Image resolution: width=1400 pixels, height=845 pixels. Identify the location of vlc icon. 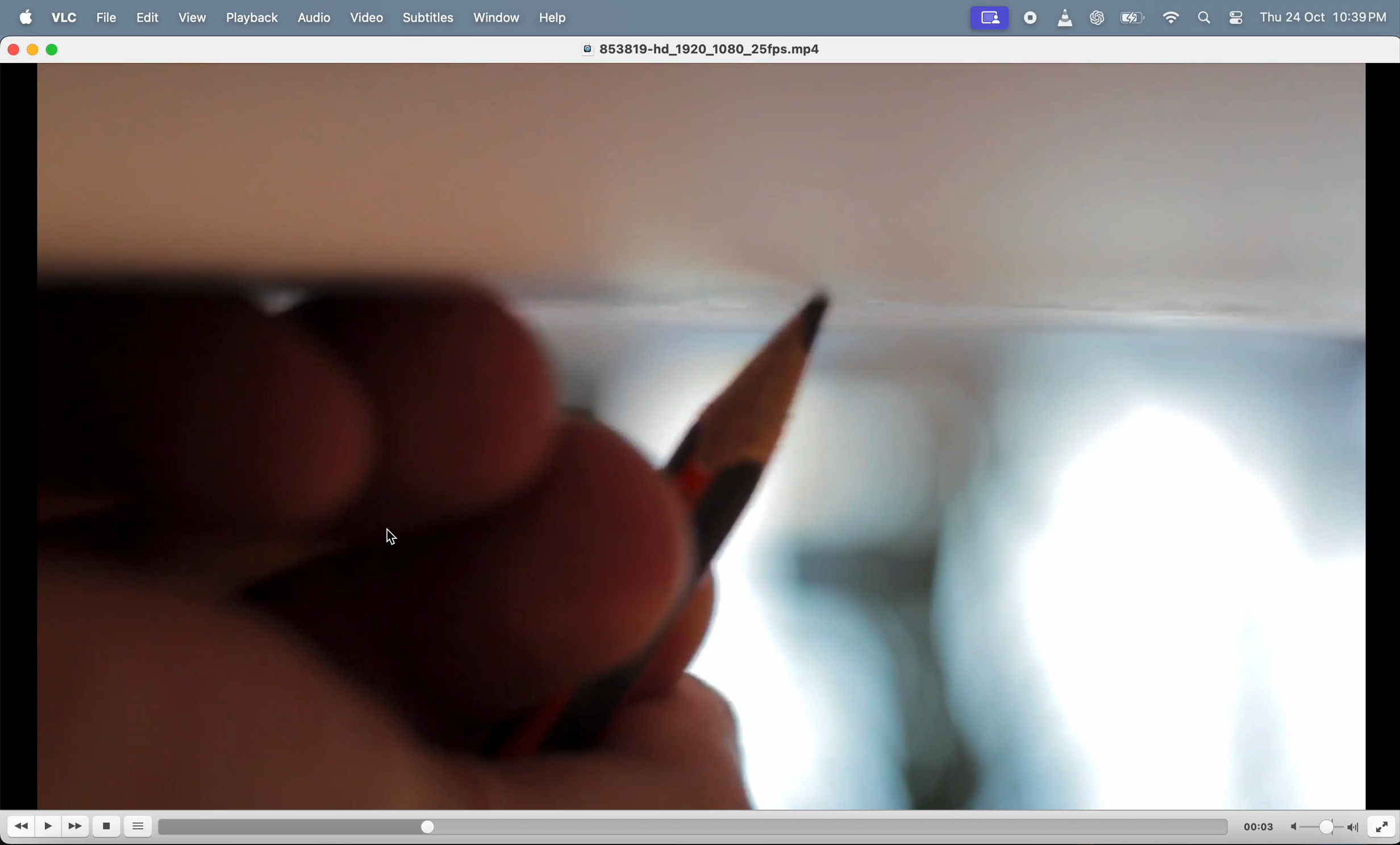
(1065, 19).